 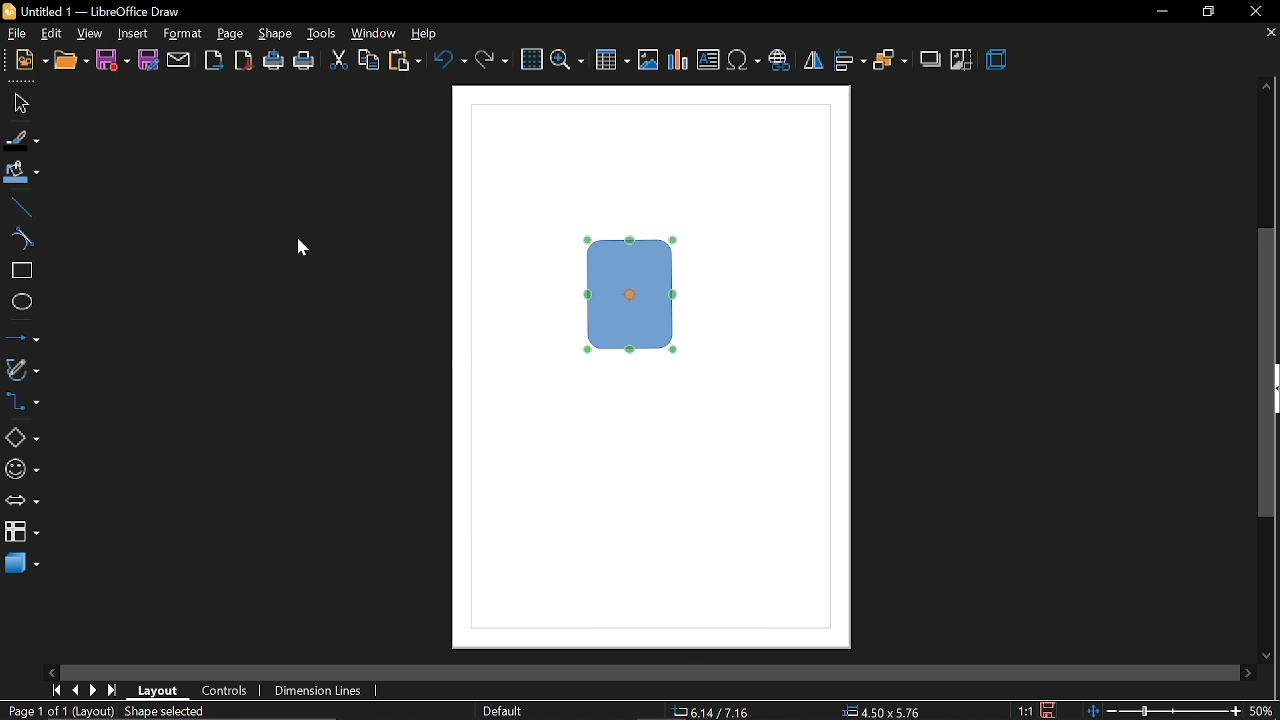 I want to click on align, so click(x=851, y=62).